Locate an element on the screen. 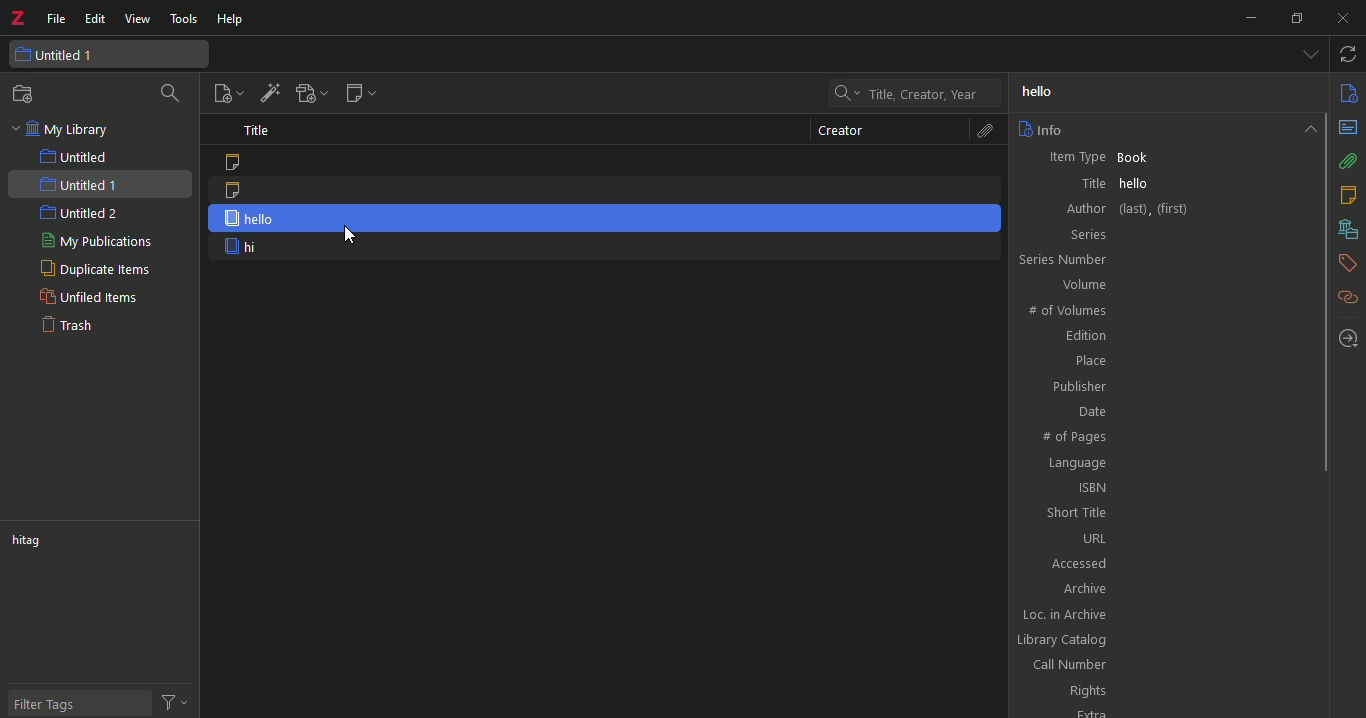  rights is located at coordinates (1087, 690).